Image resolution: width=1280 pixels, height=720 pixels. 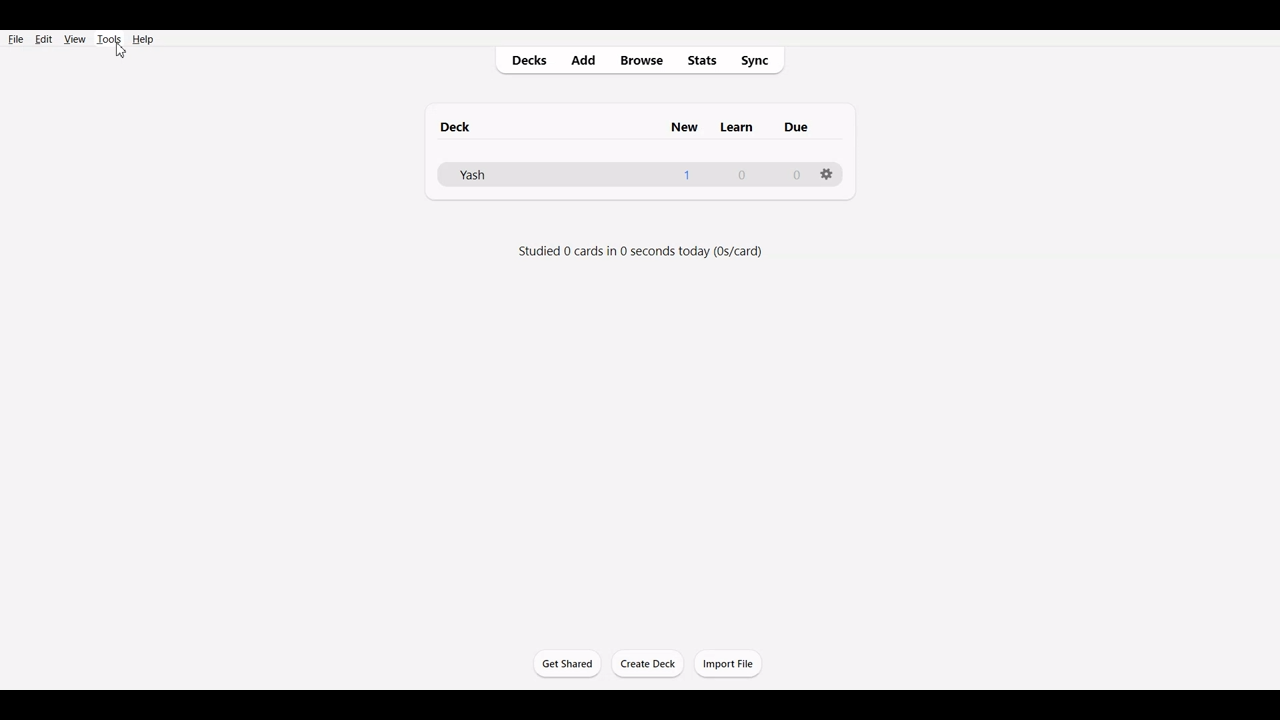 What do you see at coordinates (740, 119) in the screenshot?
I see `` at bounding box center [740, 119].